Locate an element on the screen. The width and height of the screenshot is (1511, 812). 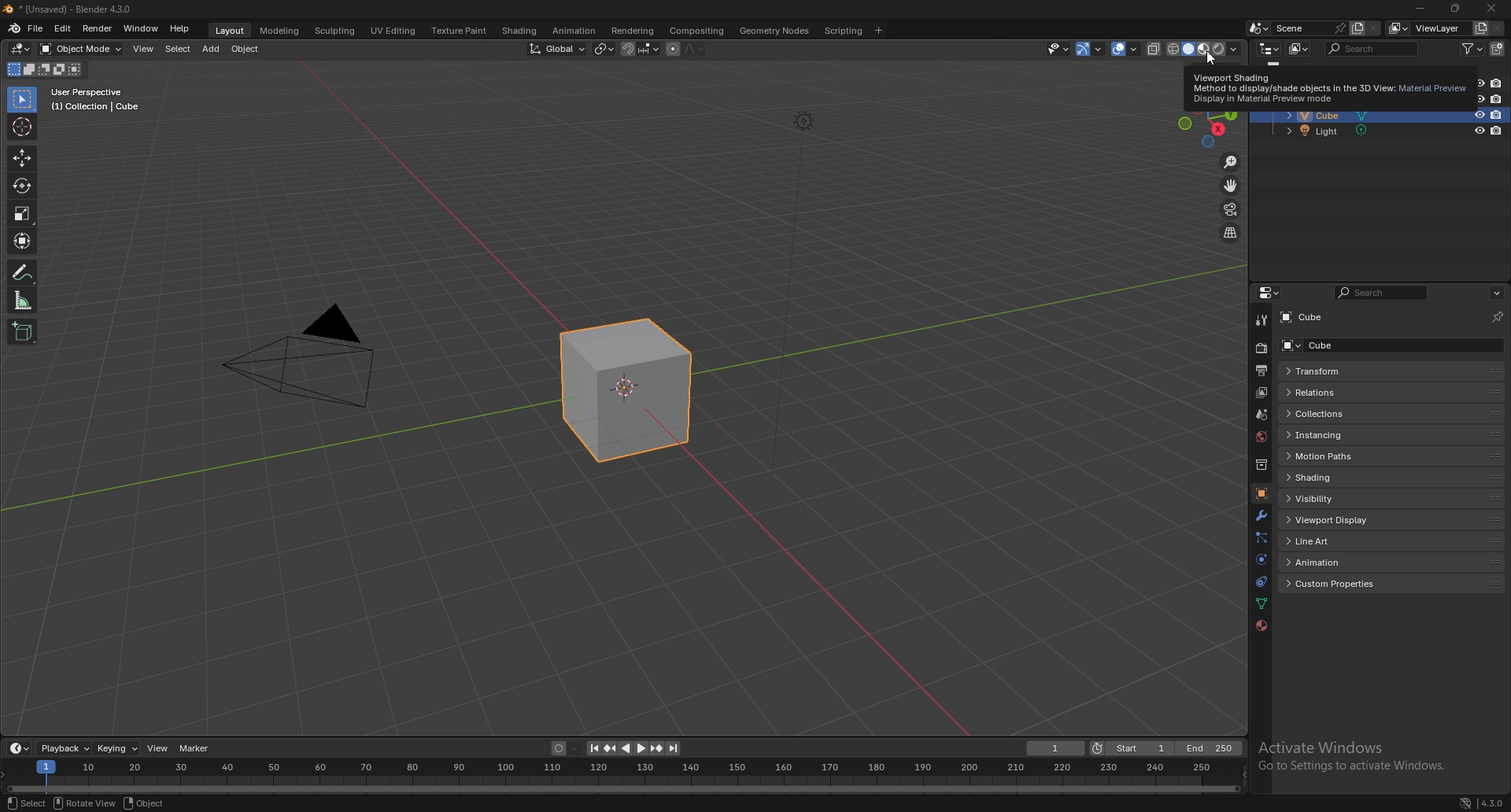
cube is located at coordinates (629, 391).